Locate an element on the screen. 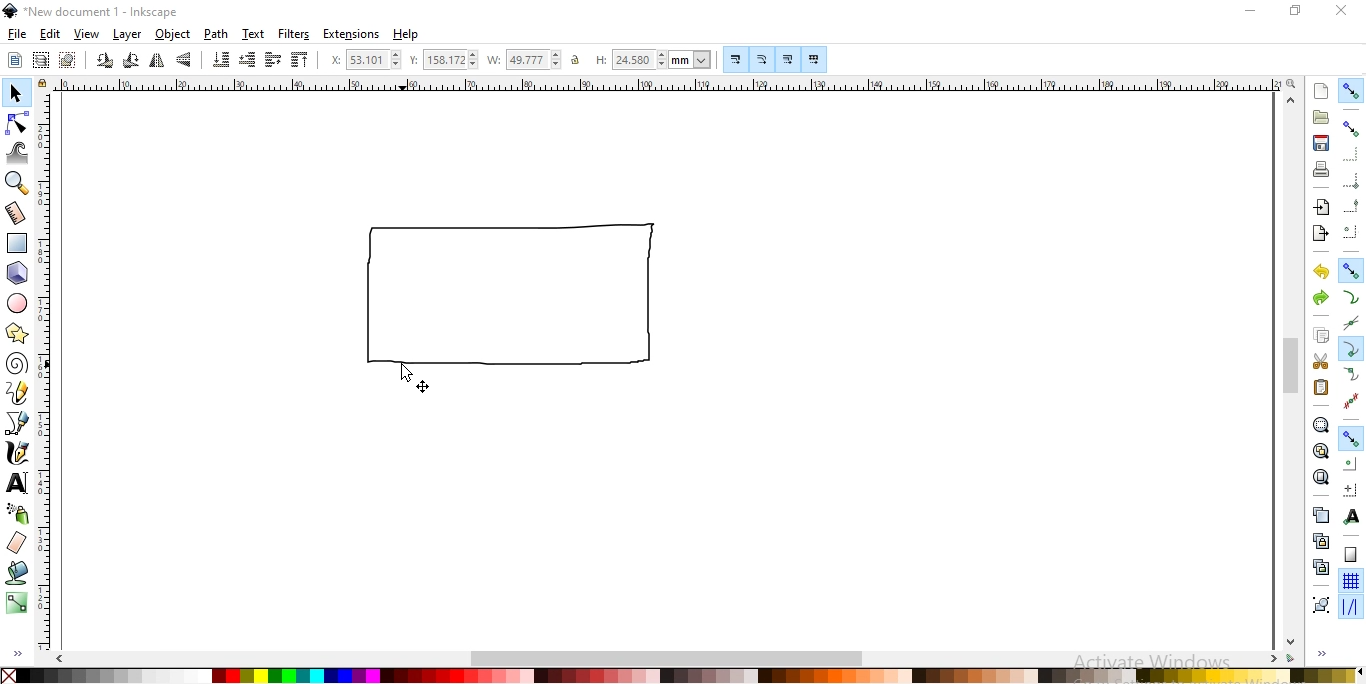 The width and height of the screenshot is (1366, 684). create and edit gradients  is located at coordinates (18, 601).